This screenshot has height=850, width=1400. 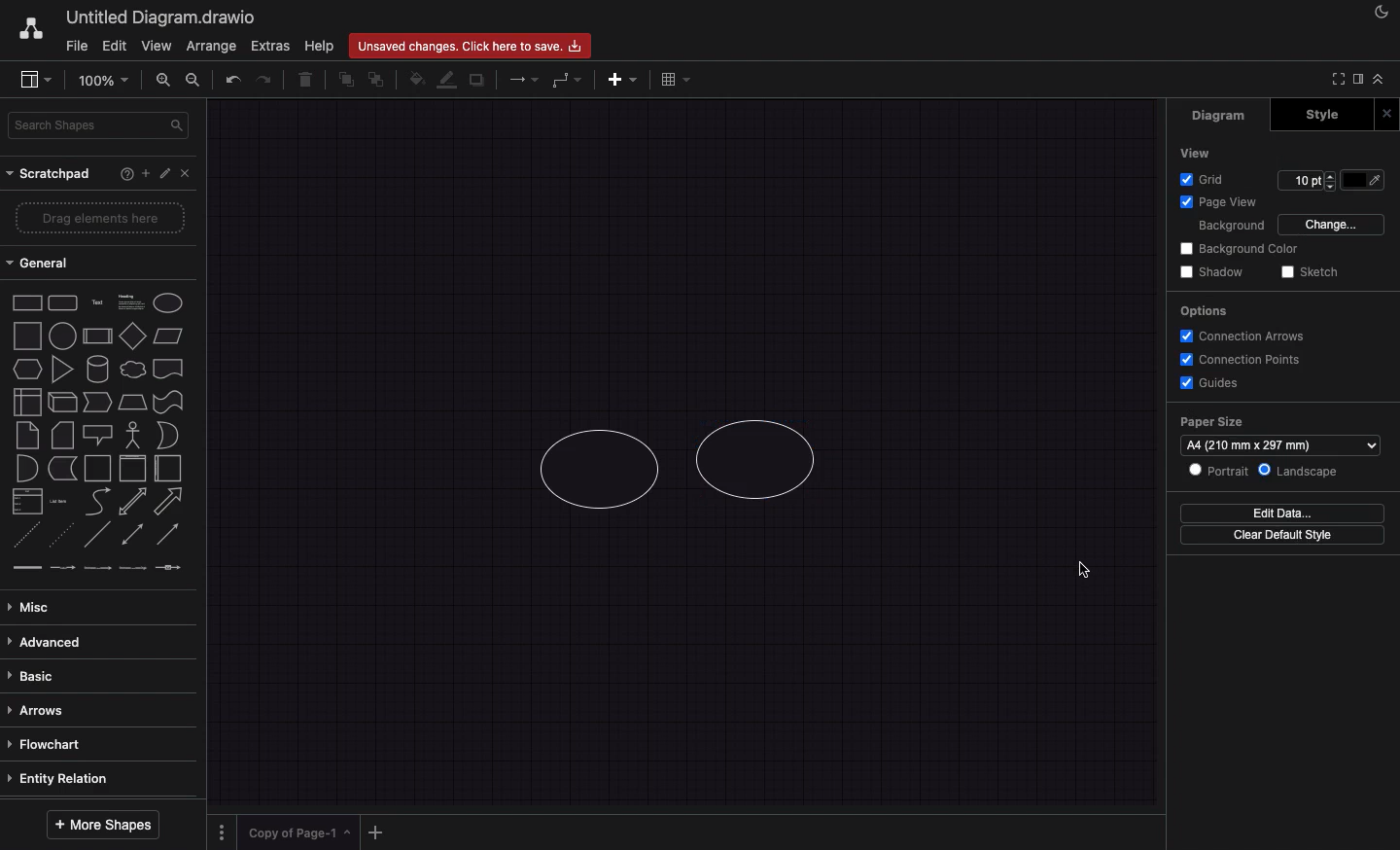 I want to click on draw.io logo, so click(x=30, y=28).